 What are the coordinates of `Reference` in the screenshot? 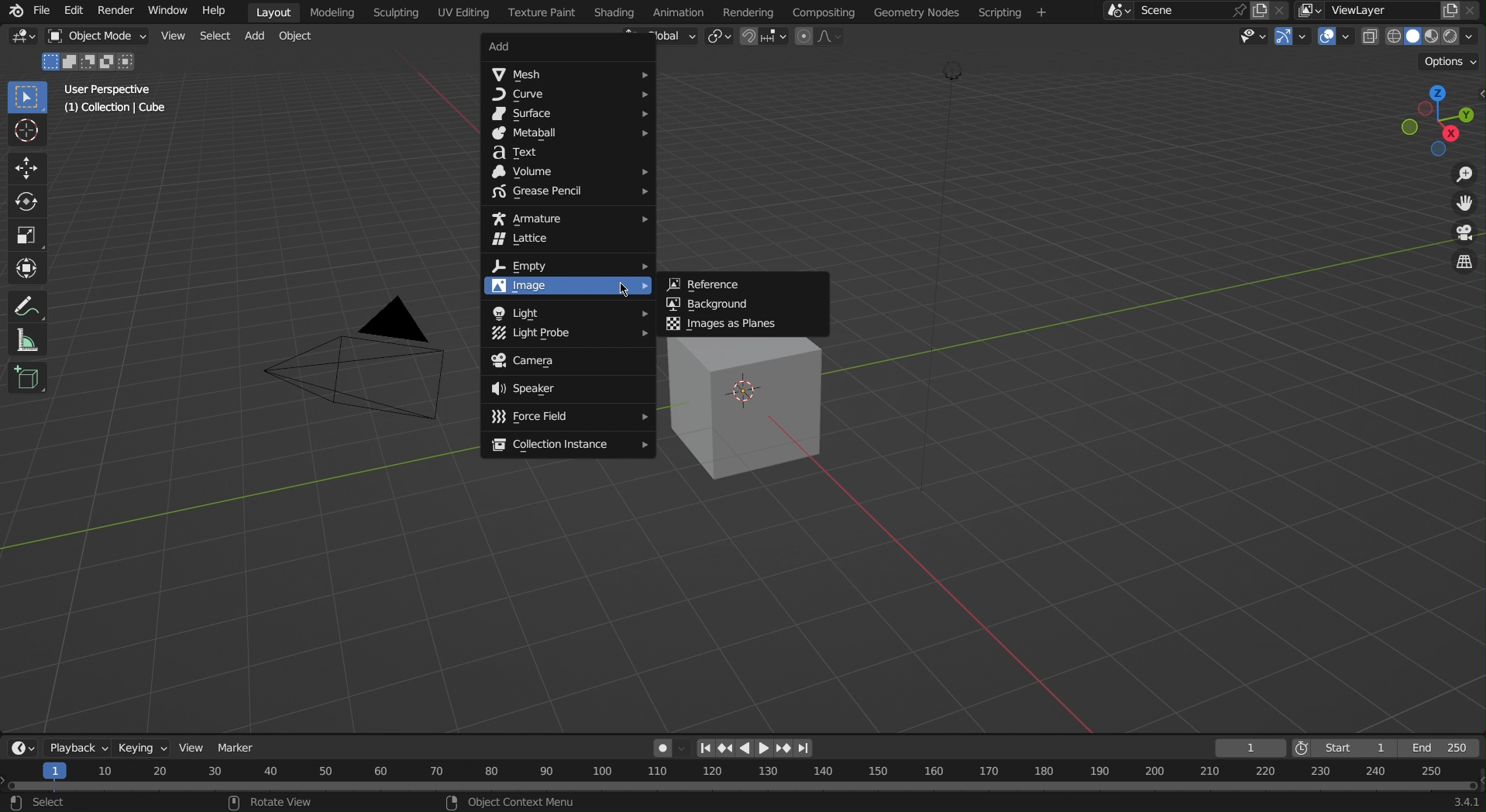 It's located at (745, 281).